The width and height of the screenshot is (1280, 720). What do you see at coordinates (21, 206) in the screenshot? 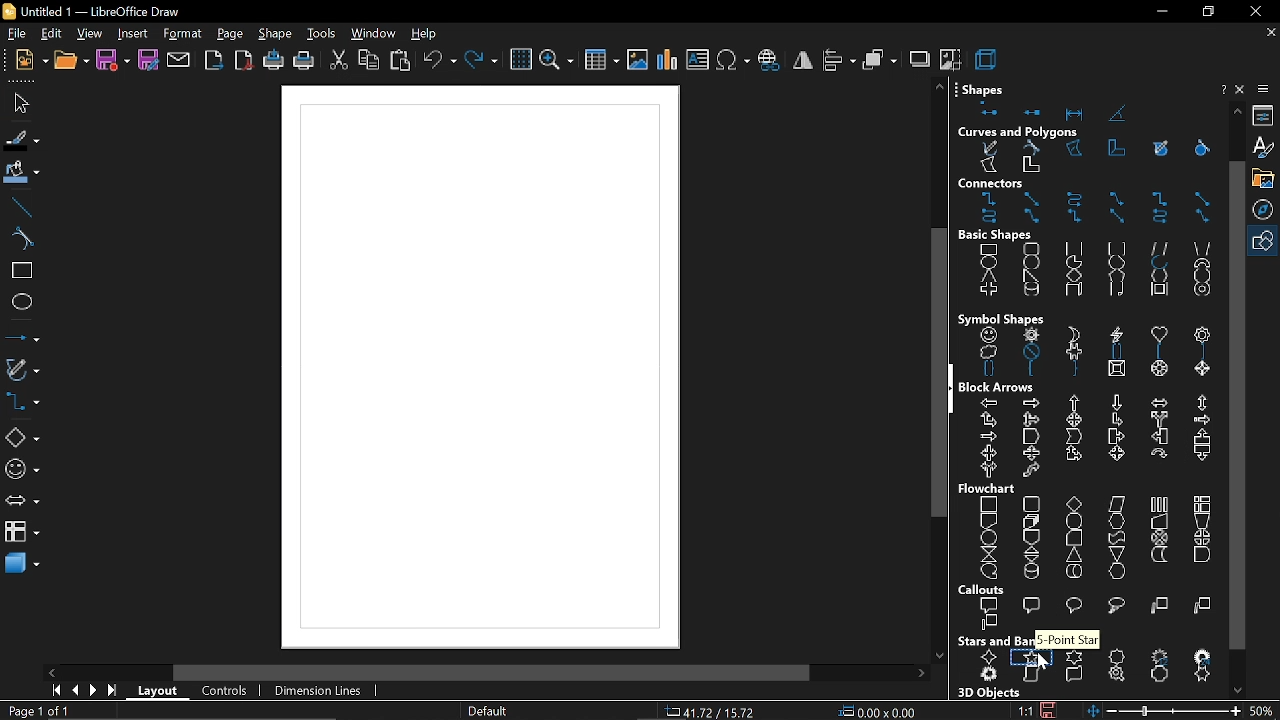
I see `line` at bounding box center [21, 206].